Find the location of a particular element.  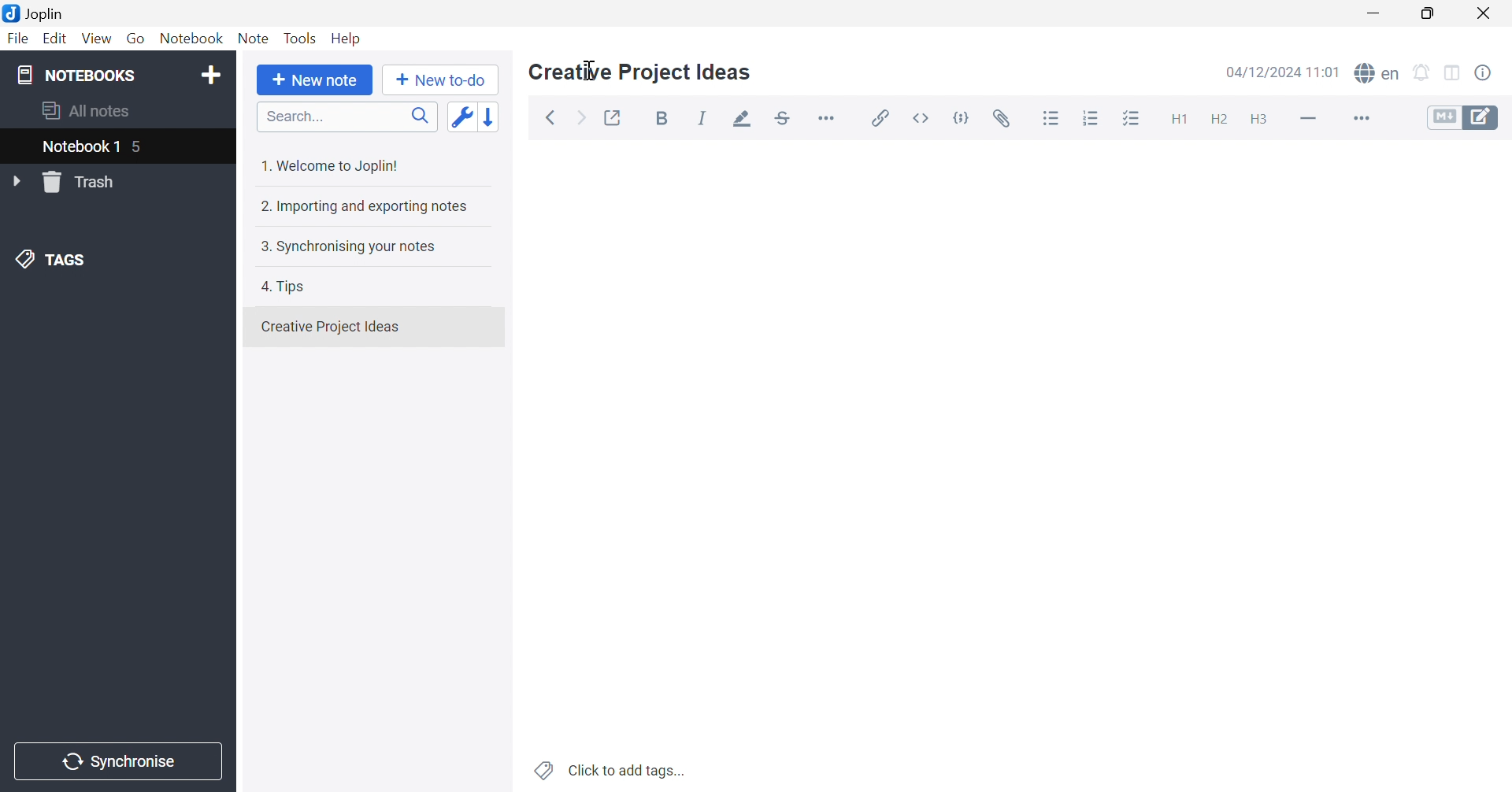

Toggle editors layout is located at coordinates (1452, 71).